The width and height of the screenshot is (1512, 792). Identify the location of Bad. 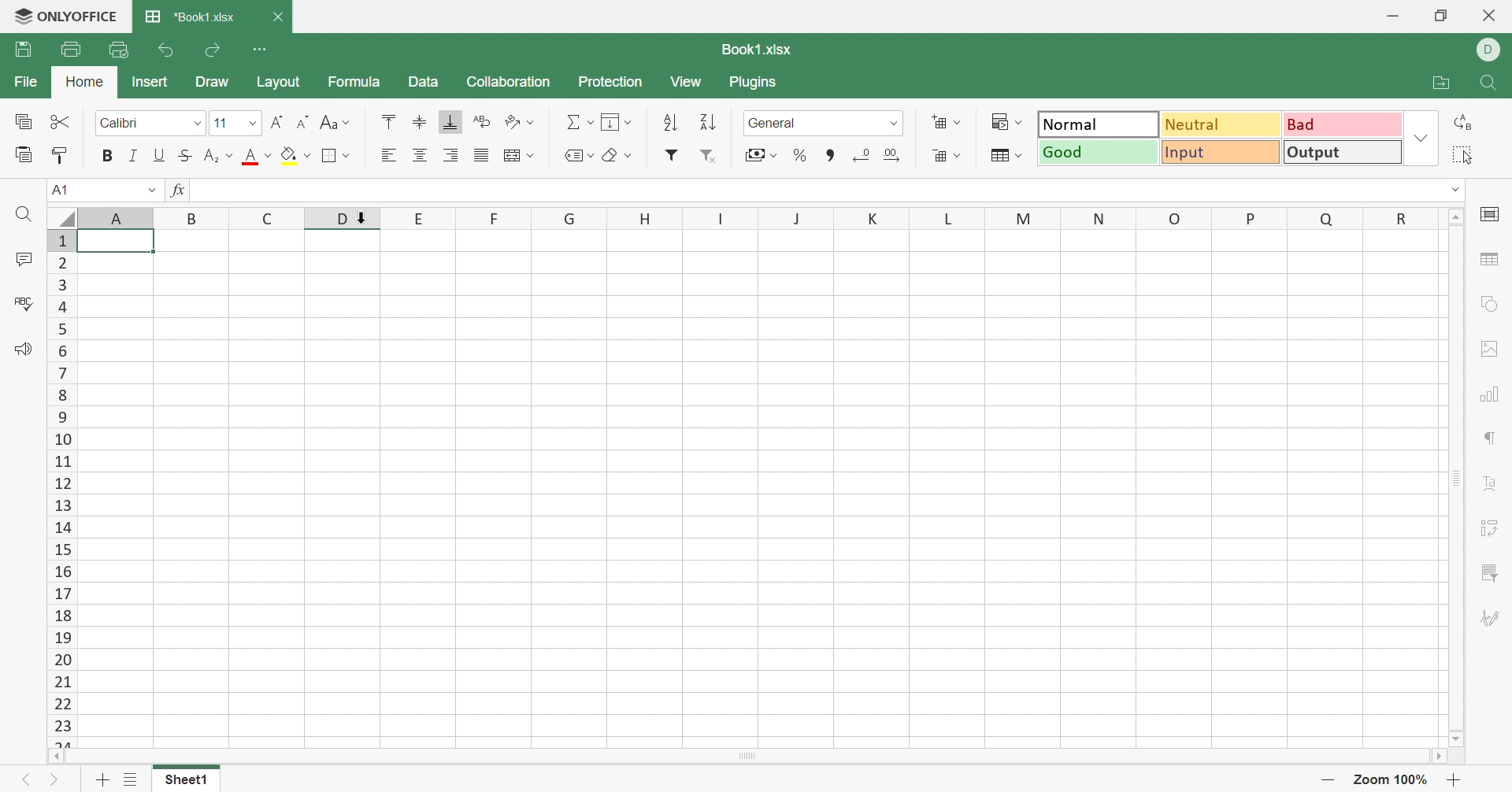
(1346, 125).